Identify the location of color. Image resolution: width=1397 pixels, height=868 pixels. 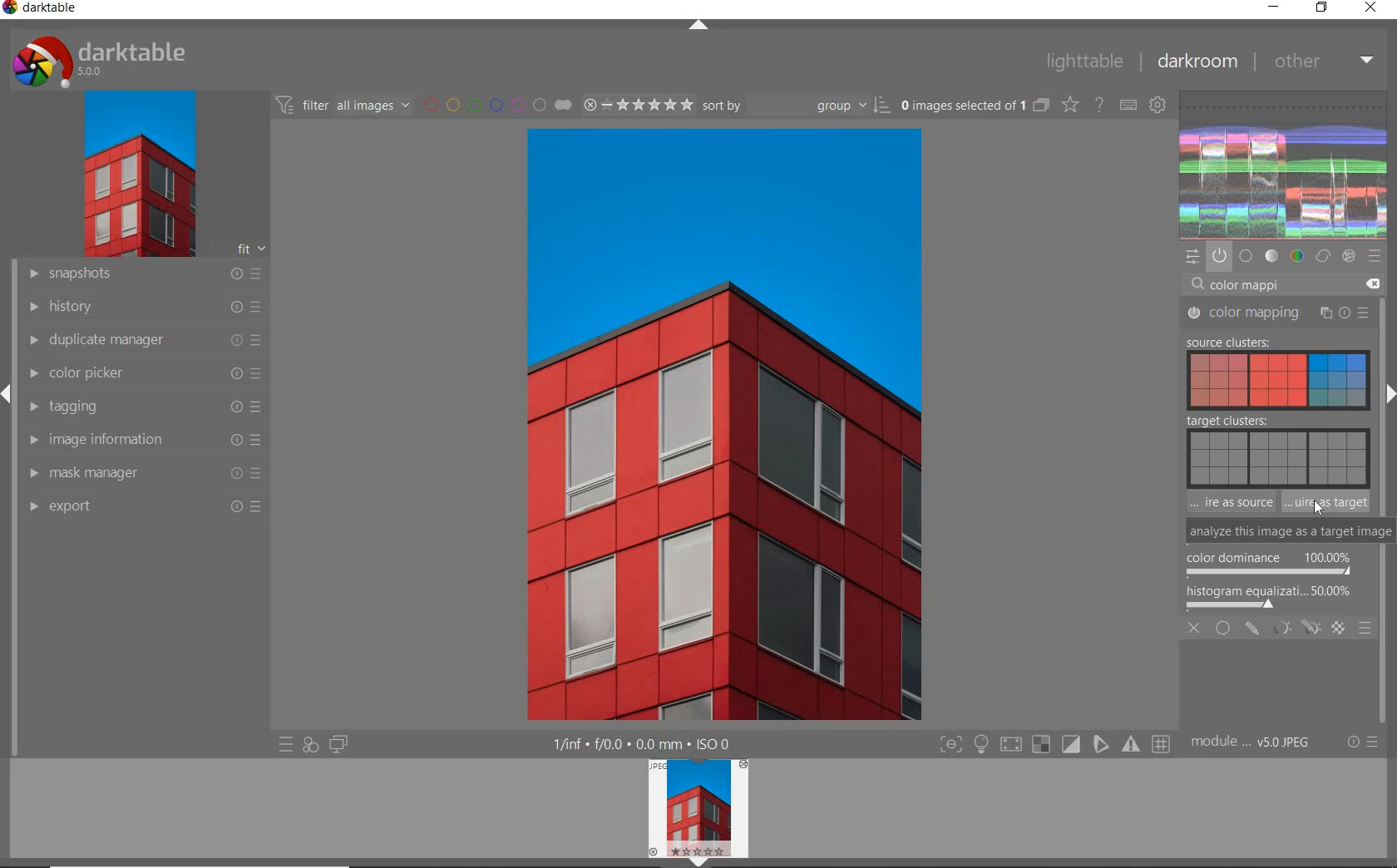
(1296, 258).